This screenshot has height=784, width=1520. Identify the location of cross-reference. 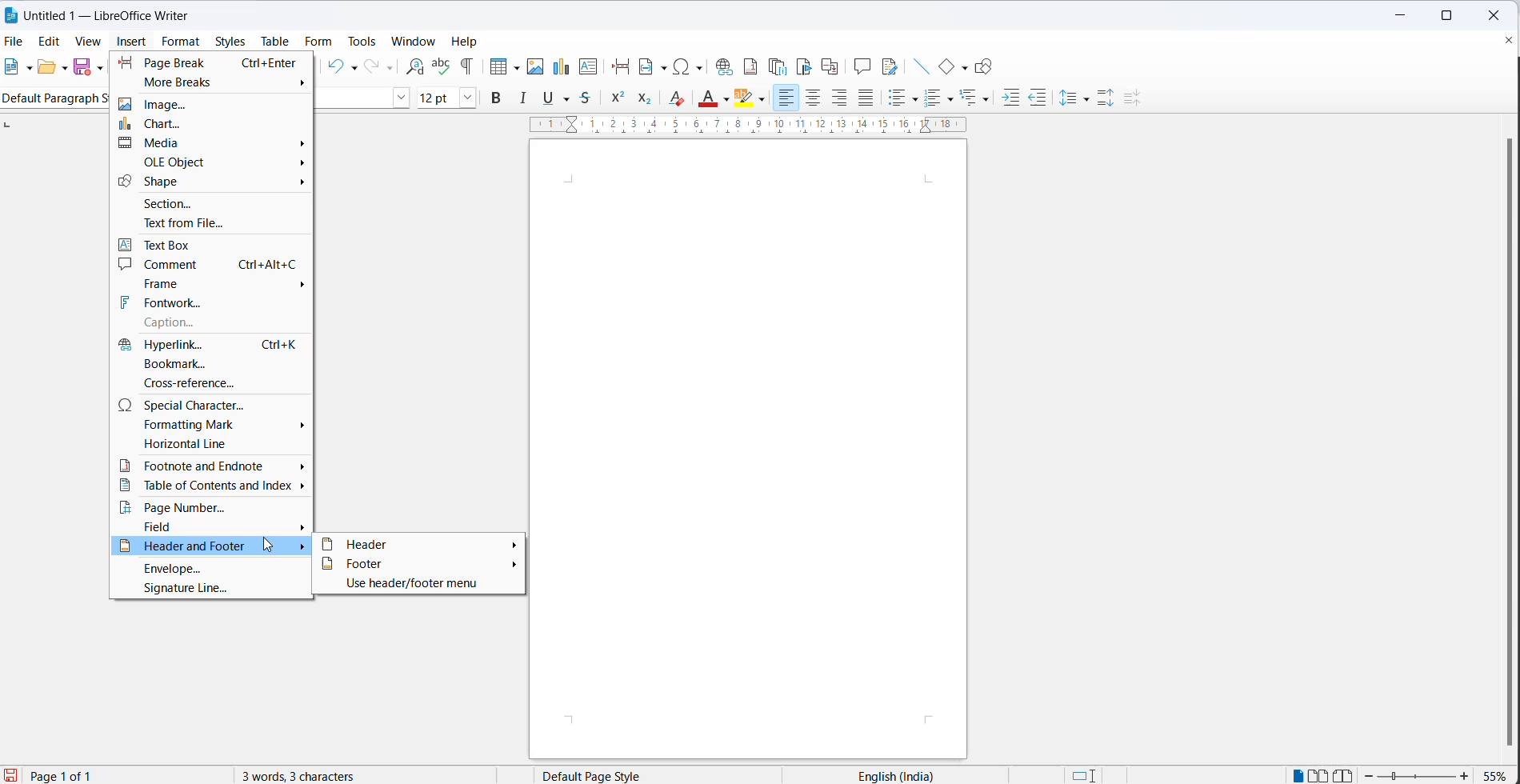
(210, 383).